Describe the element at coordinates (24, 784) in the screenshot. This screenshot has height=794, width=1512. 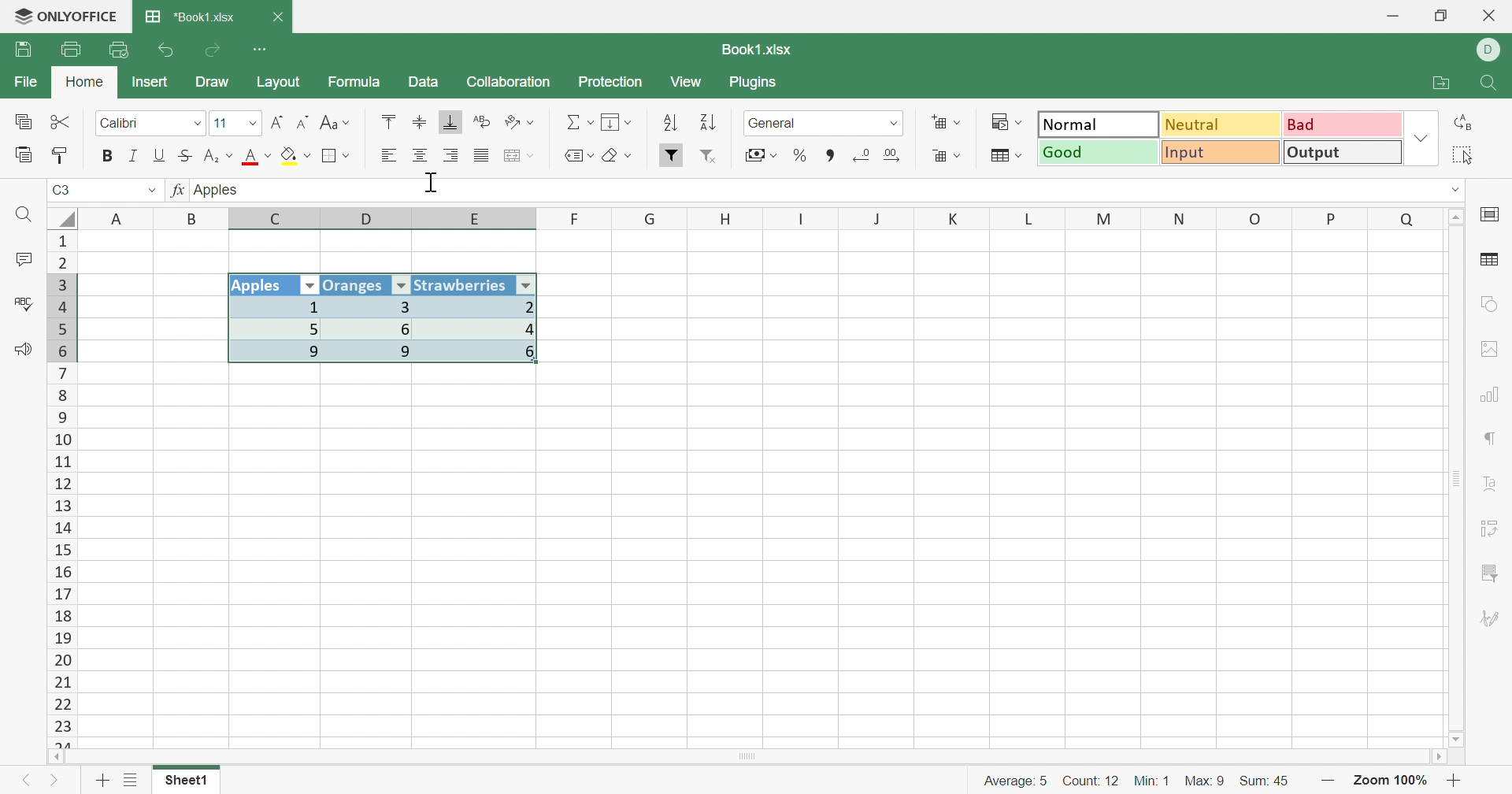
I see `Previous` at that location.